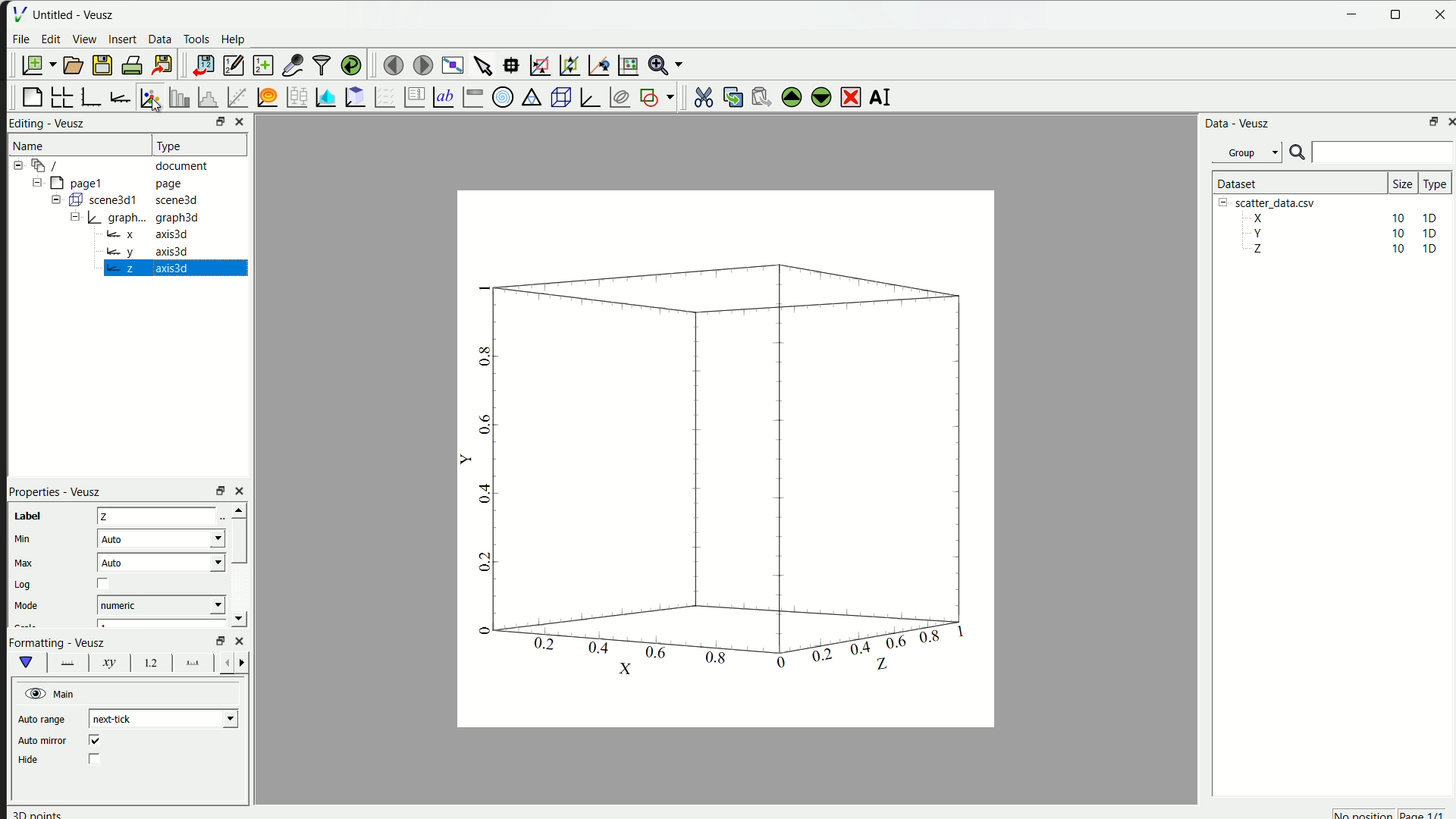 This screenshot has width=1456, height=819. What do you see at coordinates (1430, 120) in the screenshot?
I see `maximize` at bounding box center [1430, 120].